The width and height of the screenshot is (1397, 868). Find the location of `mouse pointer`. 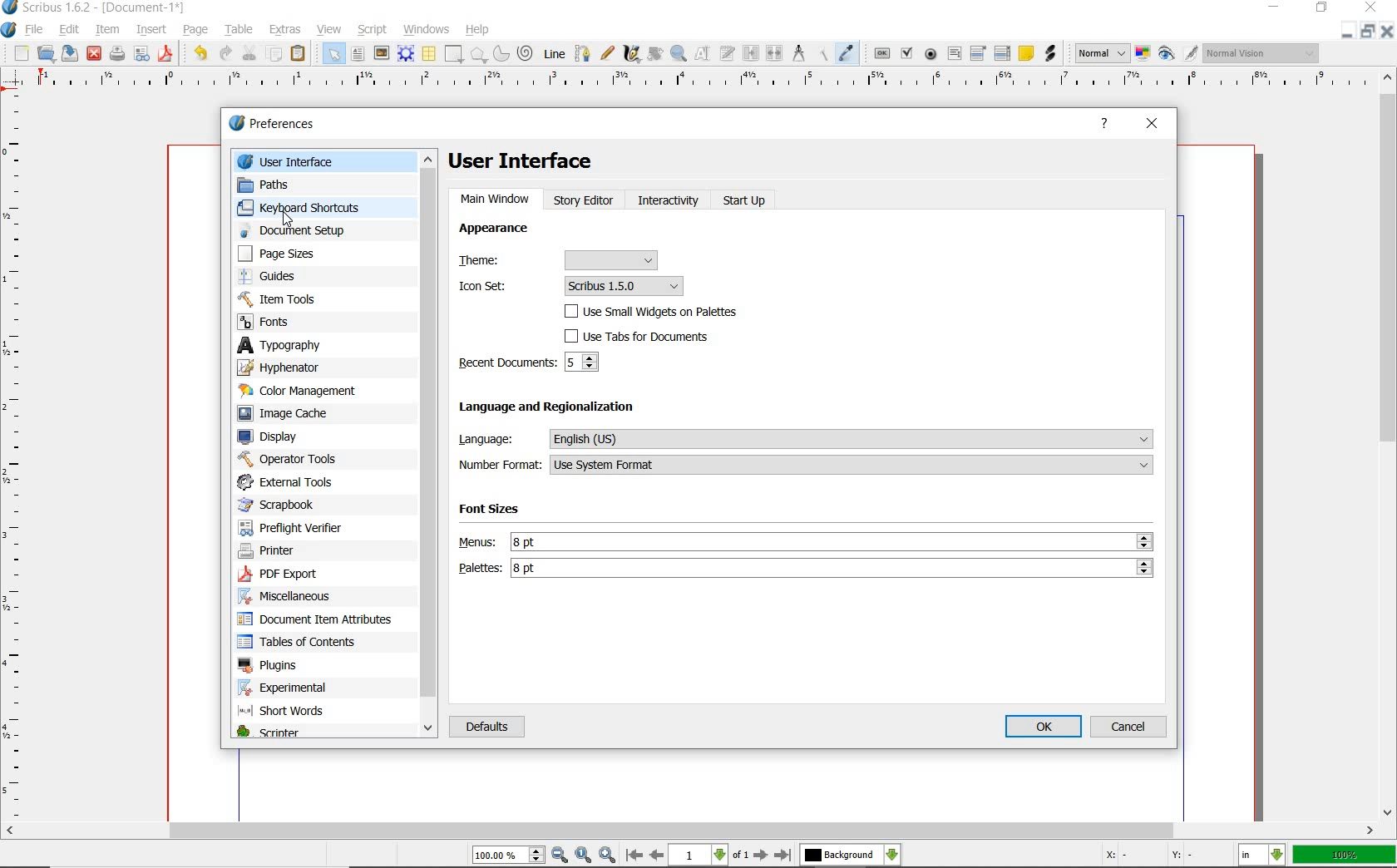

mouse pointer is located at coordinates (288, 219).